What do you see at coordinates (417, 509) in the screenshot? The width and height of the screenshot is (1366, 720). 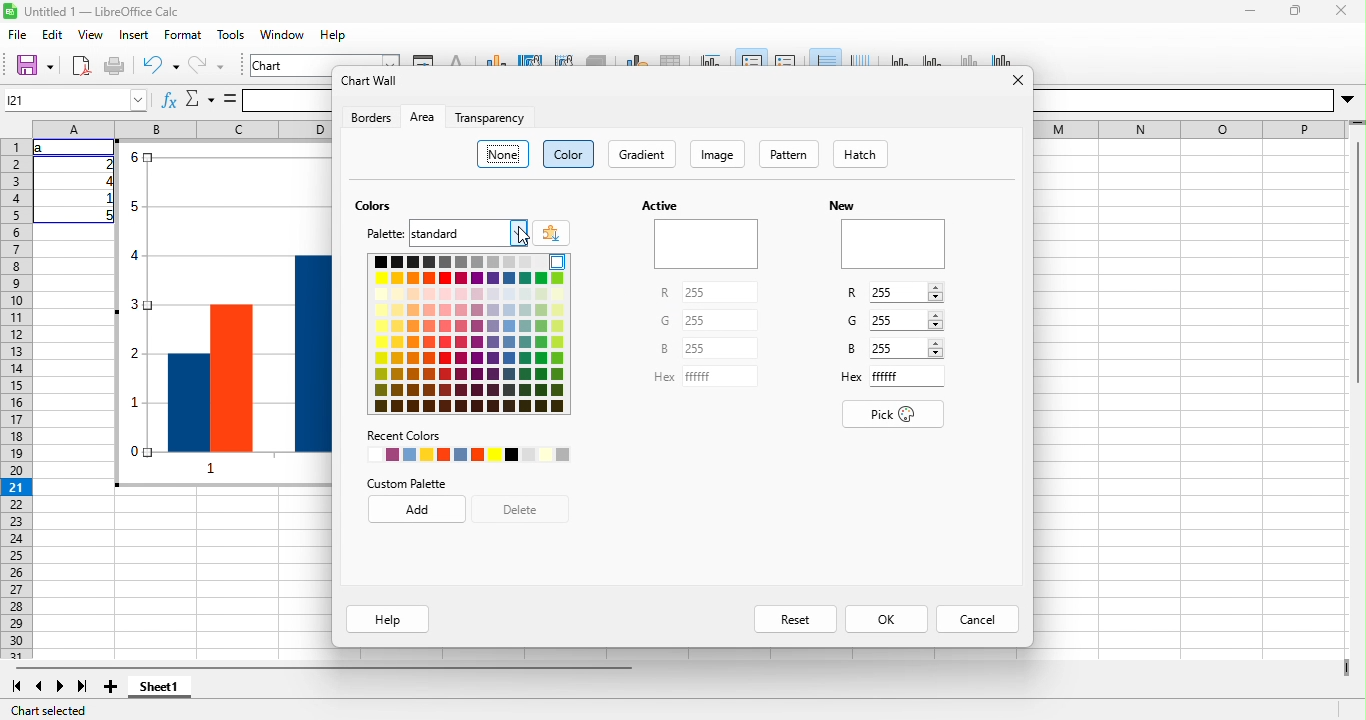 I see `add` at bounding box center [417, 509].